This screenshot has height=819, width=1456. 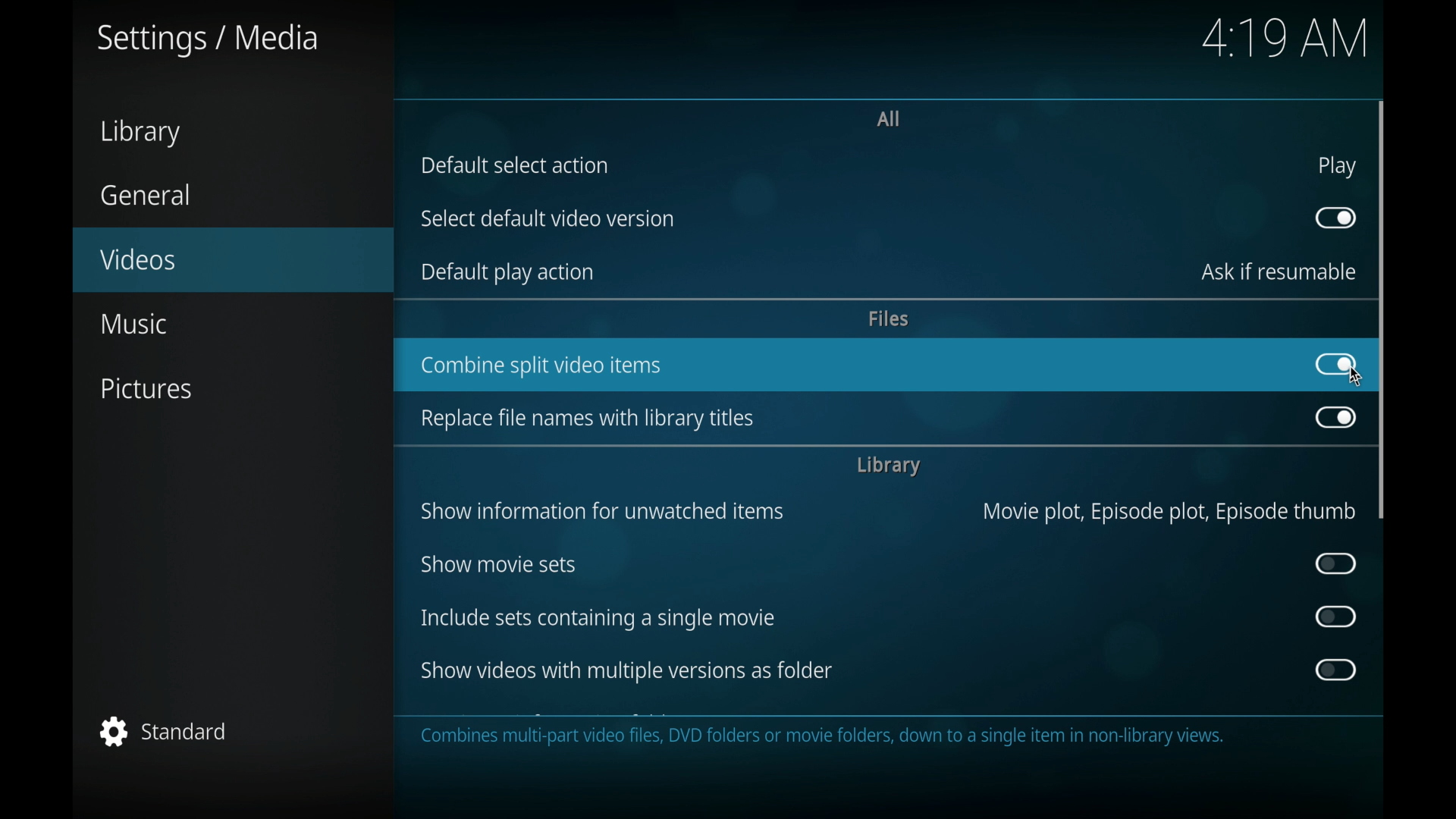 What do you see at coordinates (886, 466) in the screenshot?
I see `library` at bounding box center [886, 466].